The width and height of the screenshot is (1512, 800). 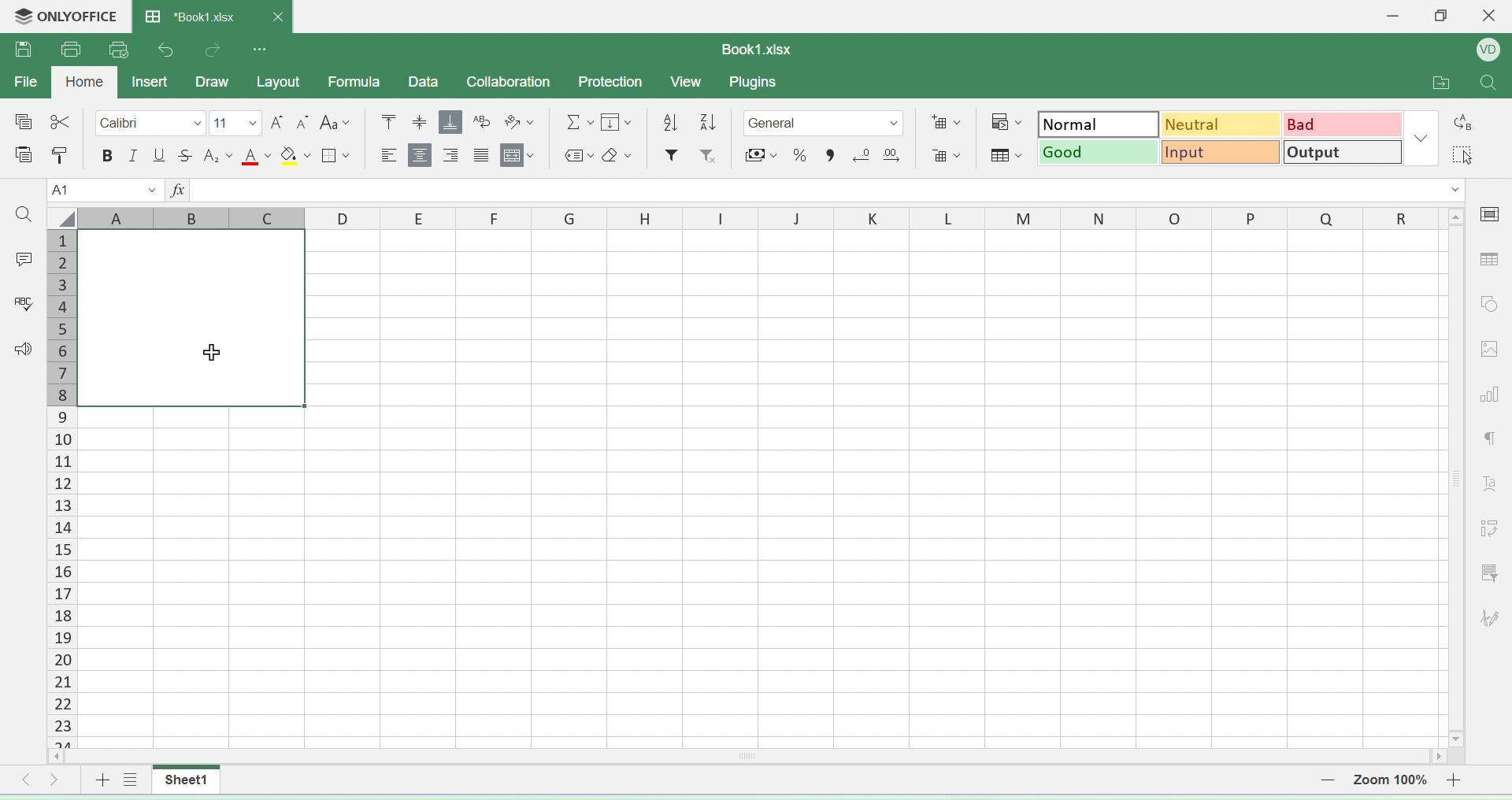 What do you see at coordinates (74, 47) in the screenshot?
I see `print` at bounding box center [74, 47].